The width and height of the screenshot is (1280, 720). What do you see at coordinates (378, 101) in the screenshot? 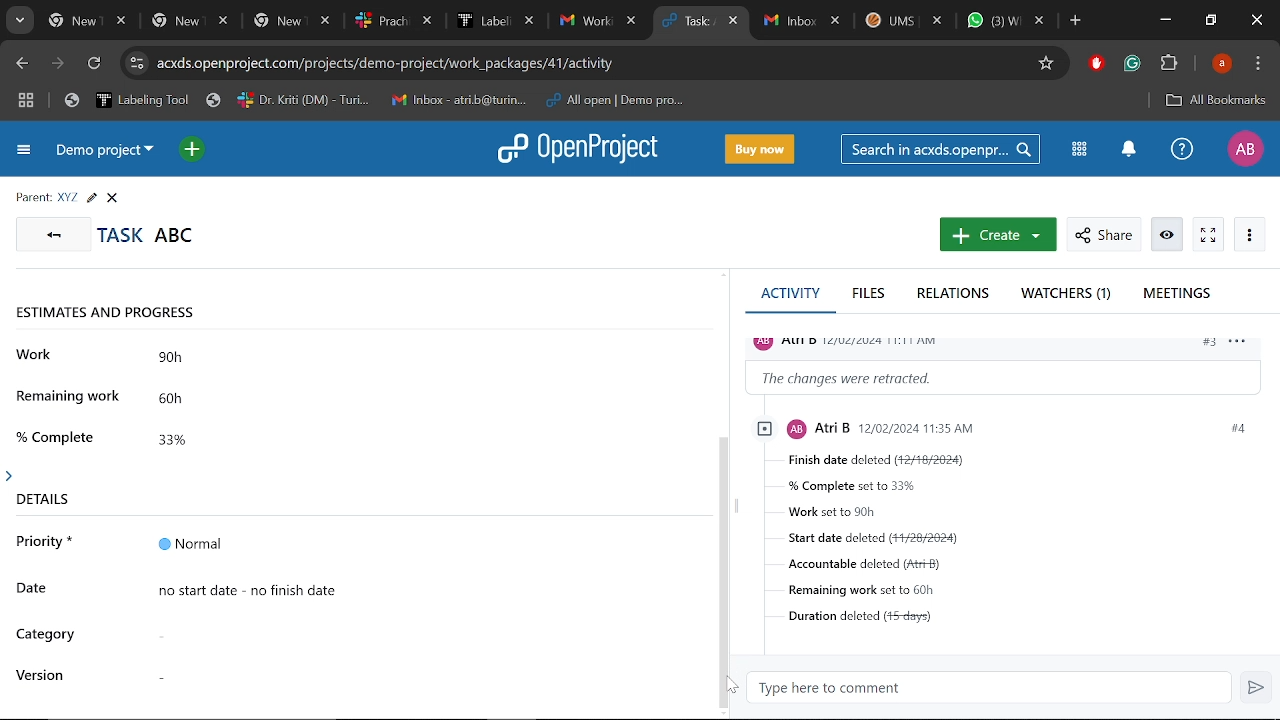
I see `Bookmarked tabs` at bounding box center [378, 101].